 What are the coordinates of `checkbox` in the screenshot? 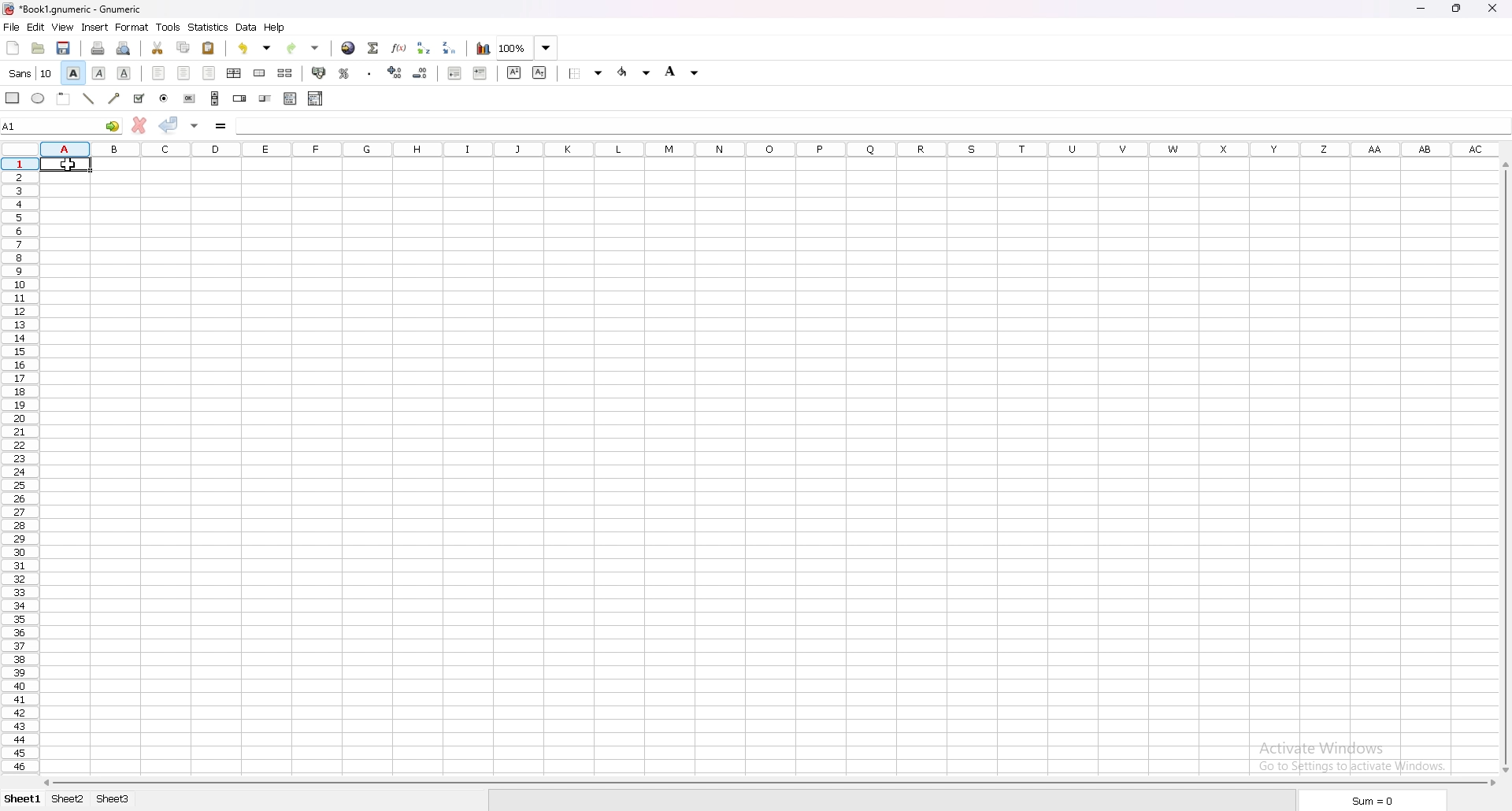 It's located at (140, 98).